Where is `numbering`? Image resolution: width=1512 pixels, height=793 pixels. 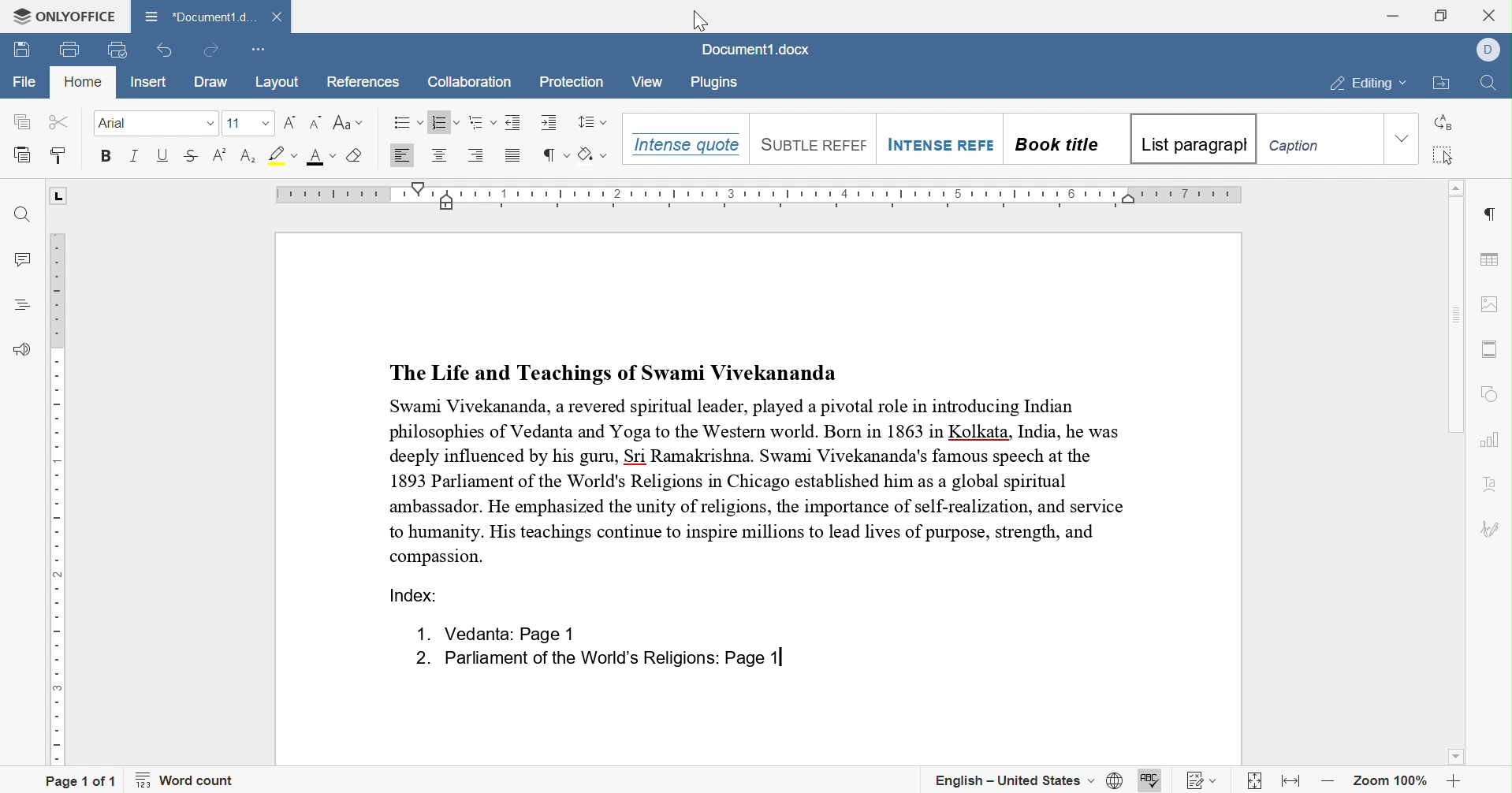 numbering is located at coordinates (445, 121).